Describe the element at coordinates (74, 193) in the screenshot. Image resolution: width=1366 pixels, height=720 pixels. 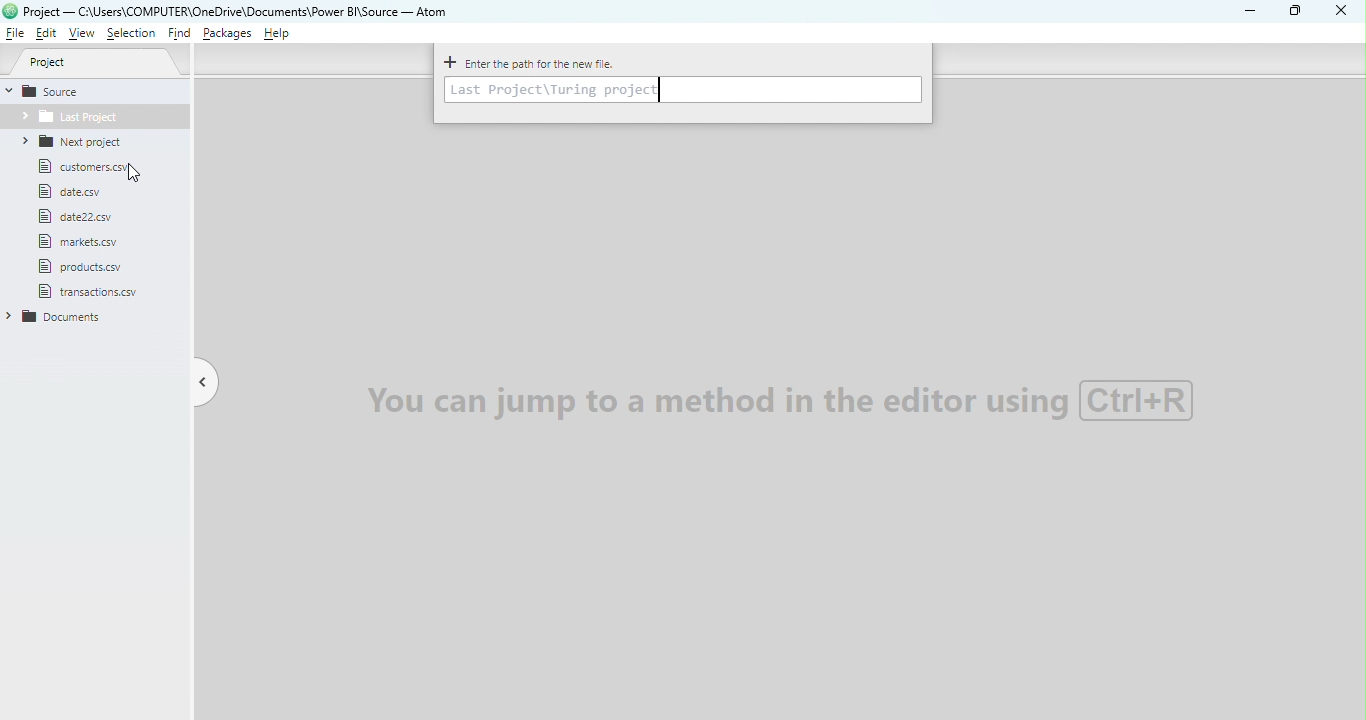
I see `File` at that location.